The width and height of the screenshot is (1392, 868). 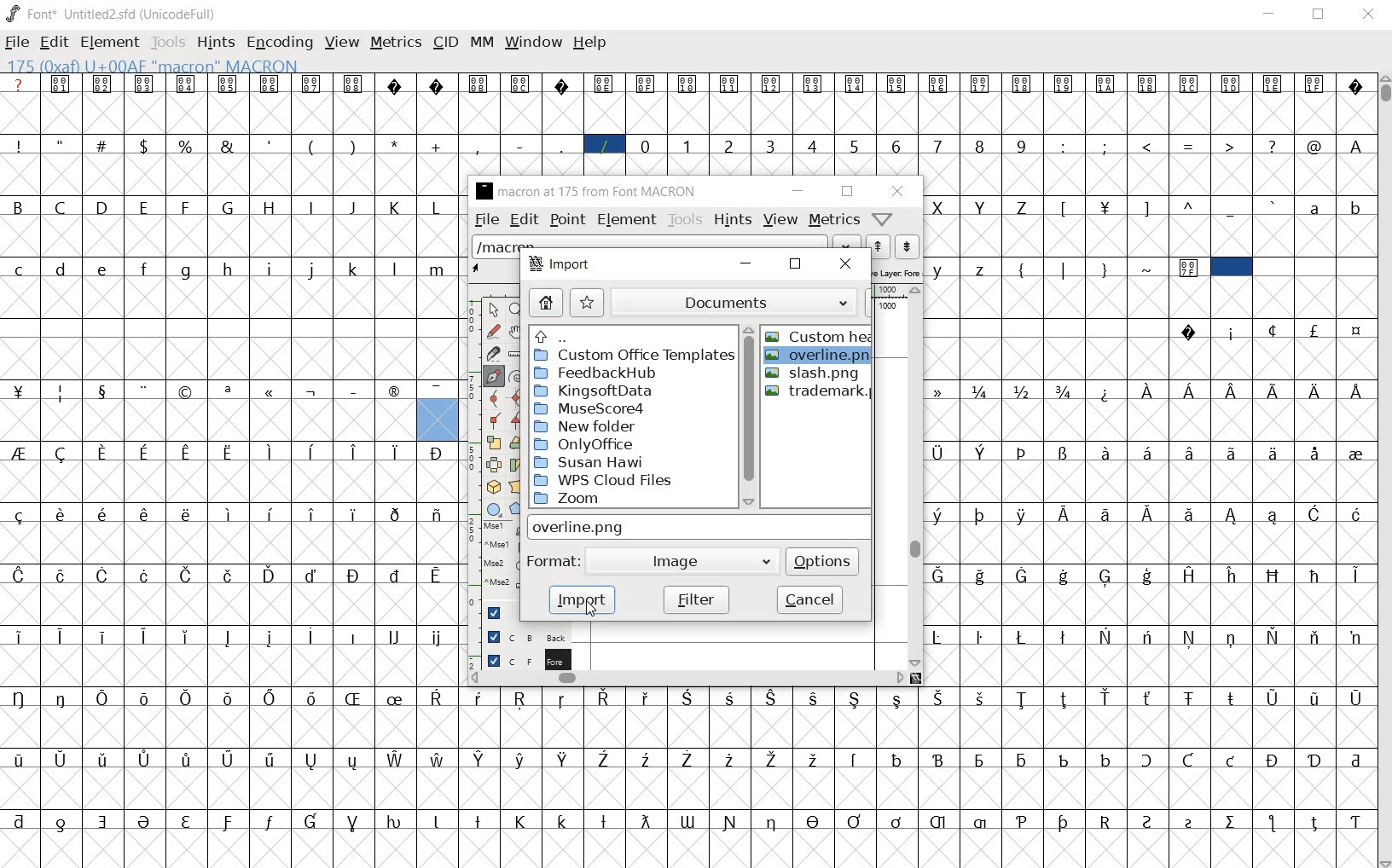 What do you see at coordinates (397, 206) in the screenshot?
I see `K` at bounding box center [397, 206].